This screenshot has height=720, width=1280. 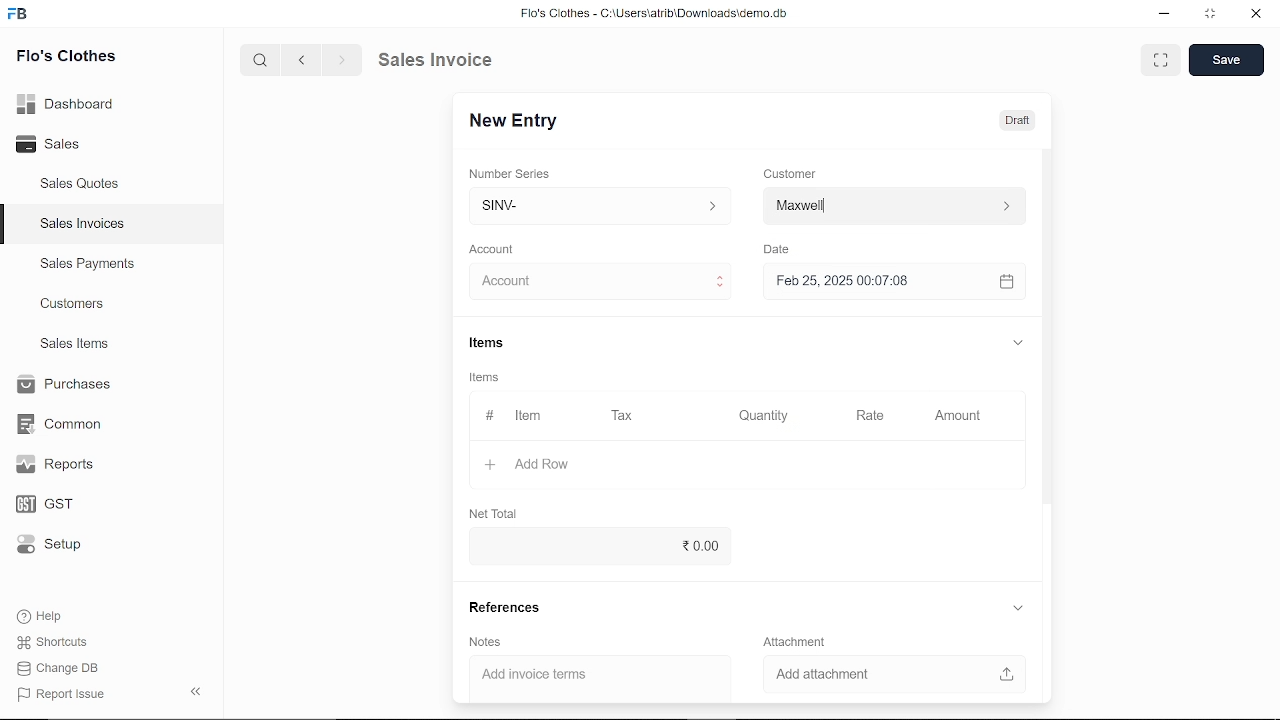 What do you see at coordinates (515, 122) in the screenshot?
I see `New Entry` at bounding box center [515, 122].